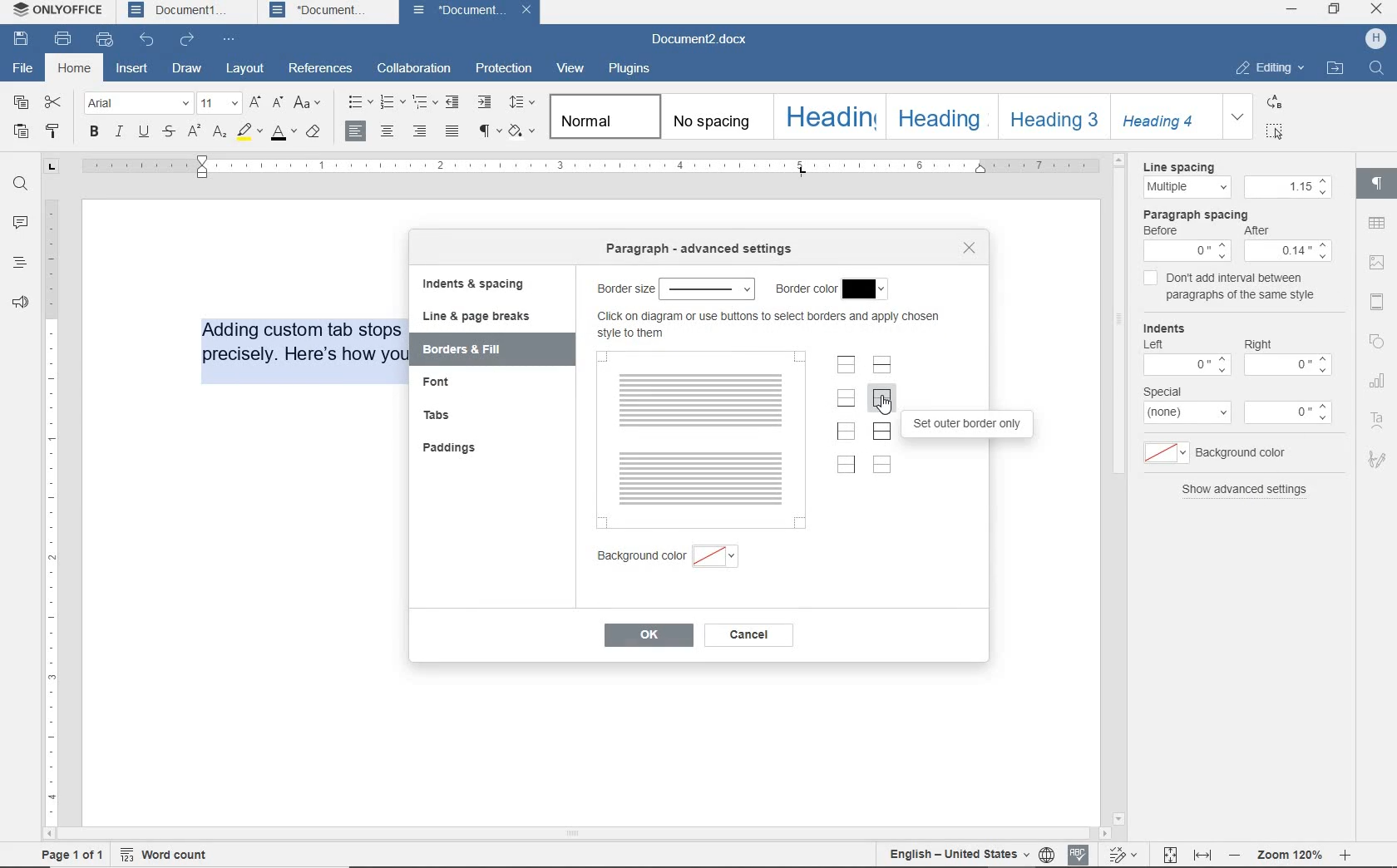  What do you see at coordinates (311, 104) in the screenshot?
I see `change case` at bounding box center [311, 104].